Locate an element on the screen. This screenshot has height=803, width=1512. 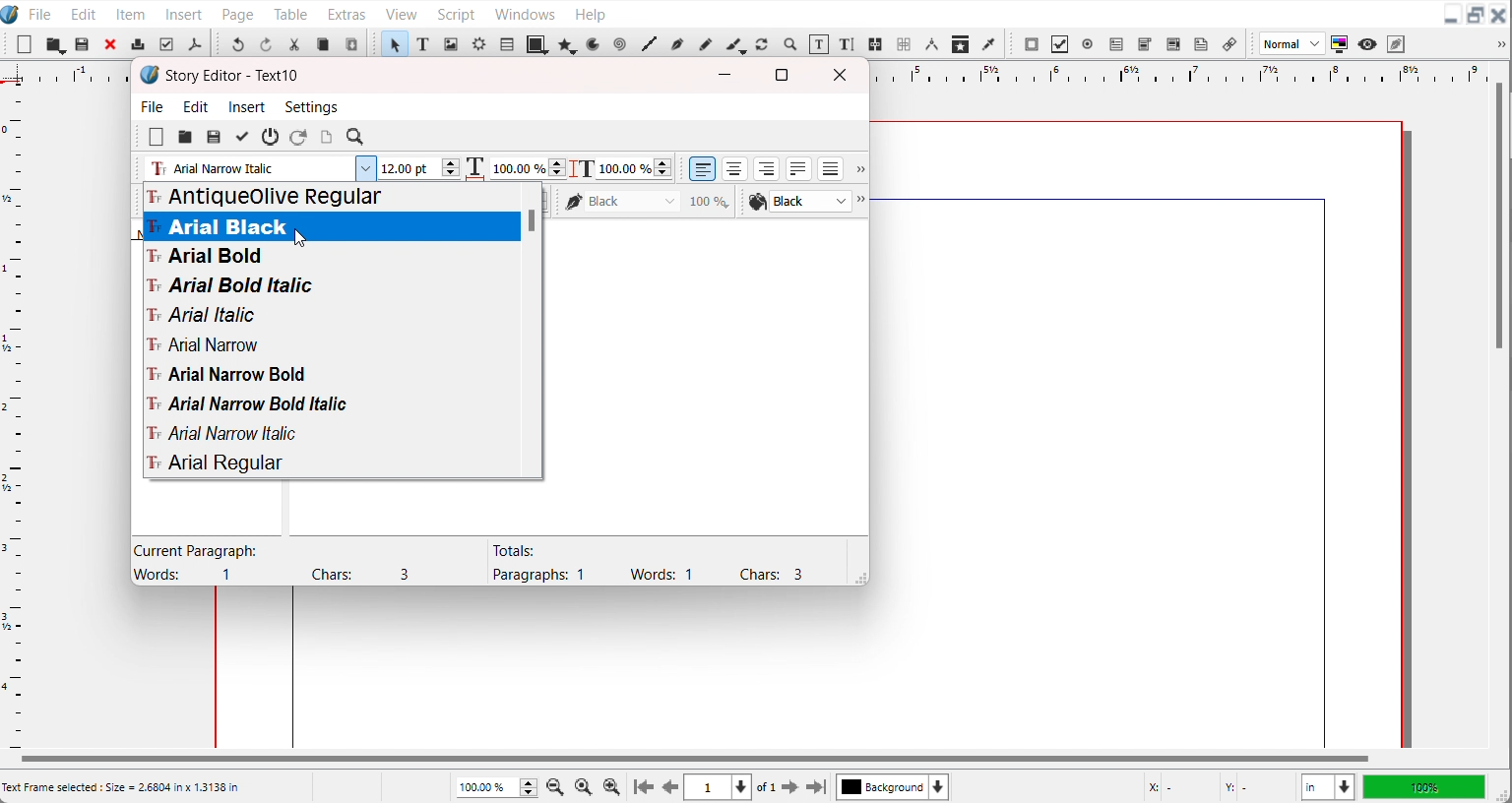
Toggle color is located at coordinates (1341, 44).